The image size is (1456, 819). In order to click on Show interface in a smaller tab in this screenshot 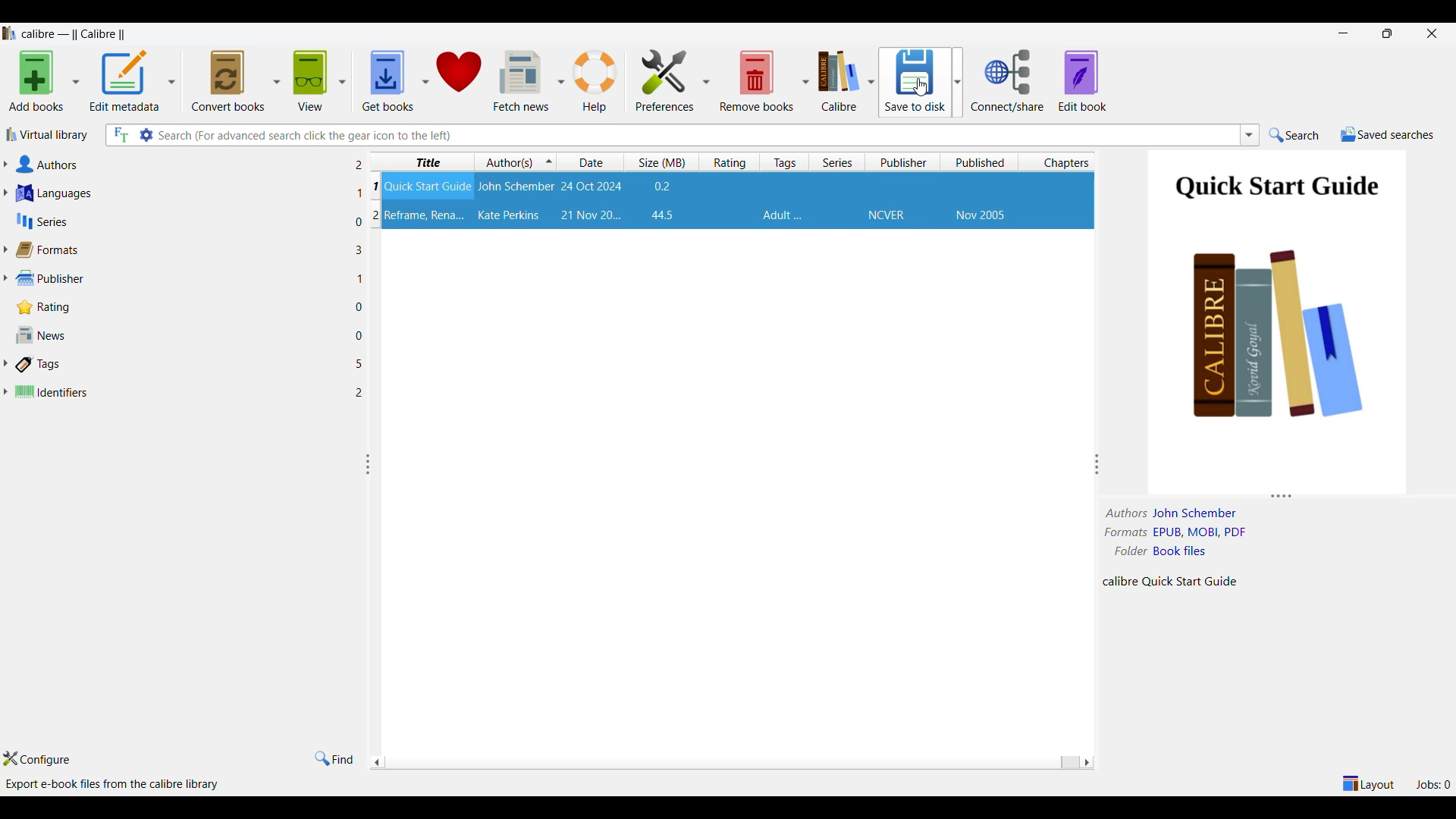, I will do `click(1388, 33)`.